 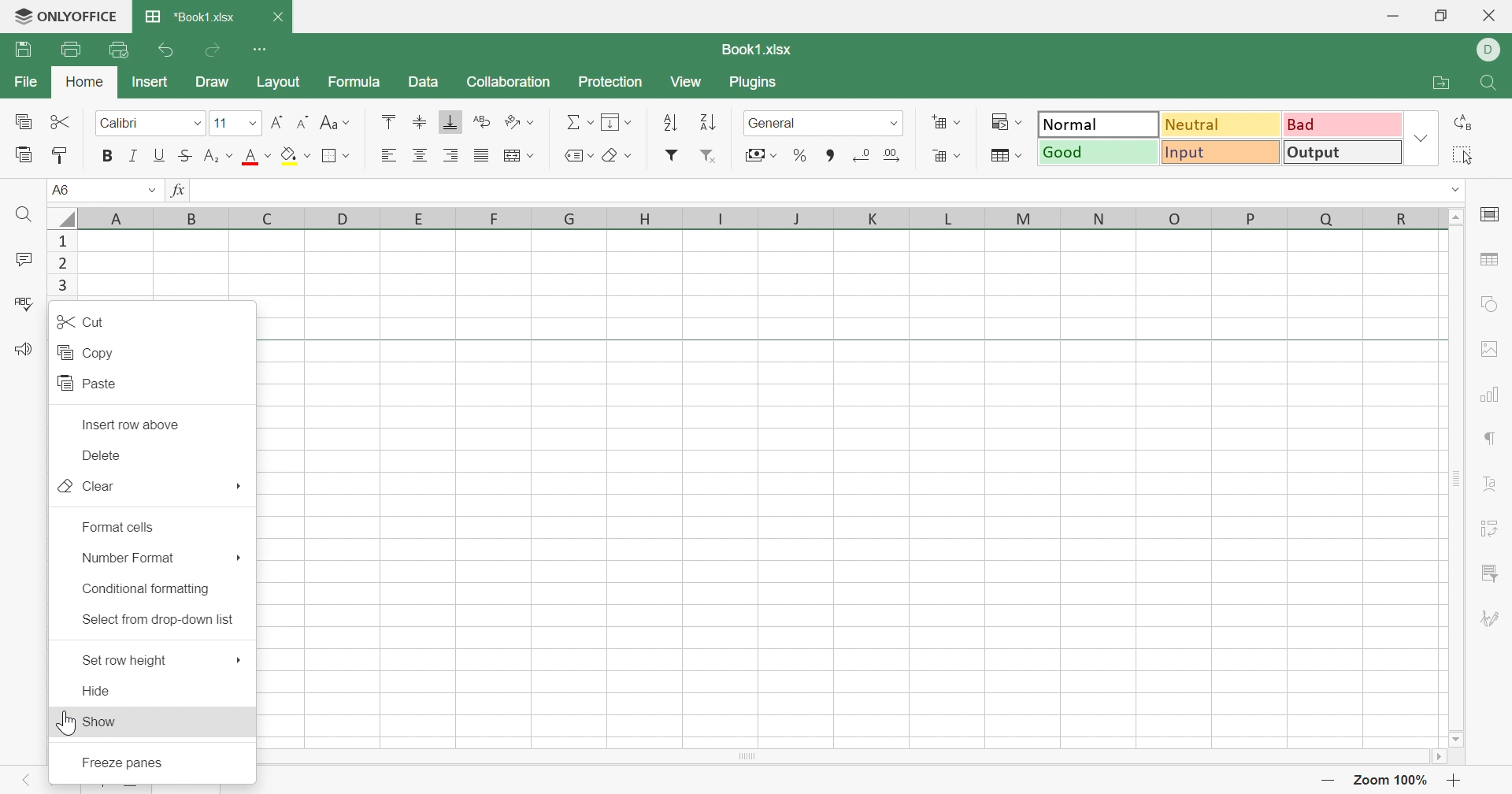 I want to click on Increment font size, so click(x=275, y=123).